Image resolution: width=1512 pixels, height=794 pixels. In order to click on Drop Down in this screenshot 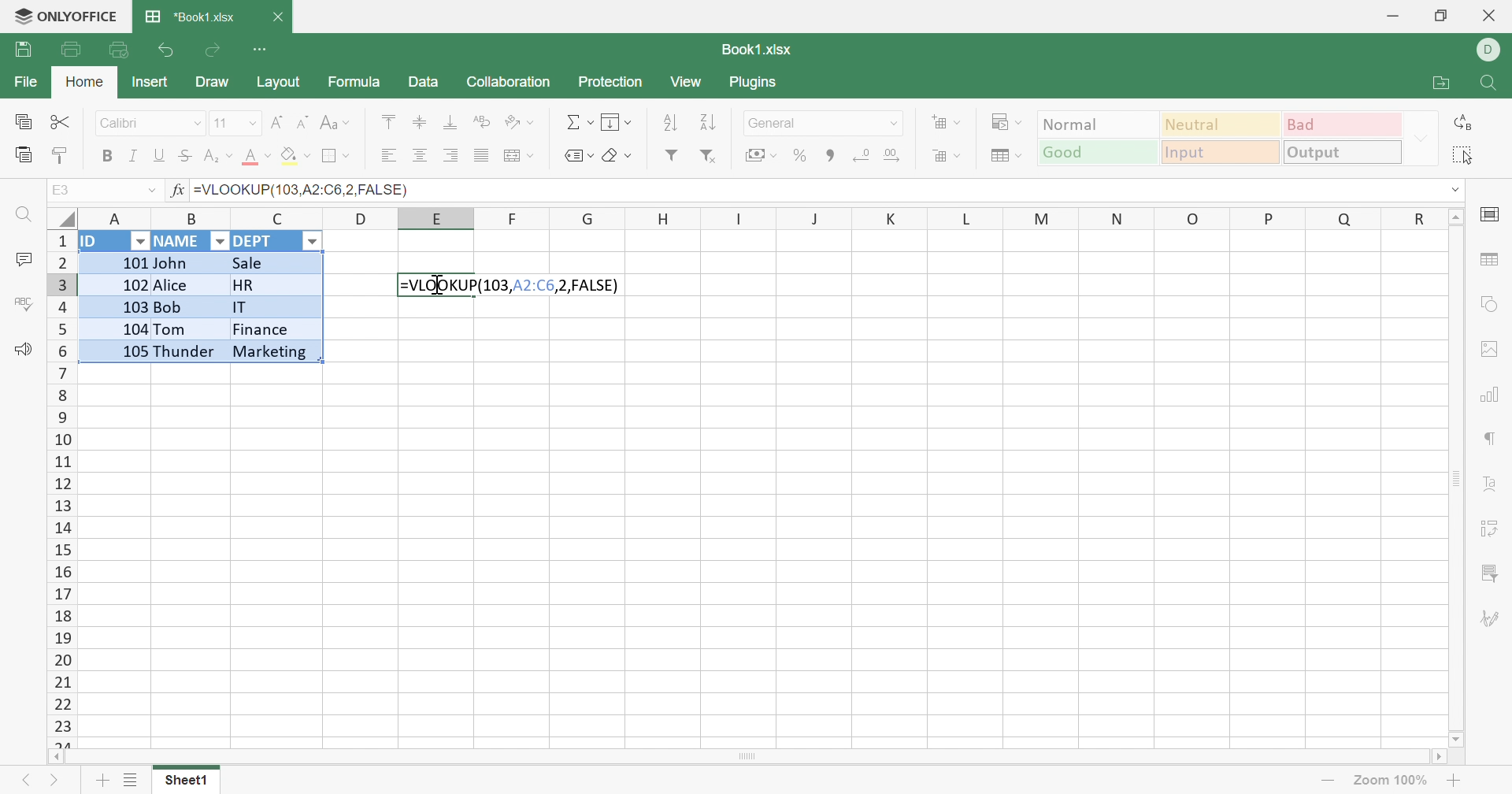, I will do `click(1457, 191)`.